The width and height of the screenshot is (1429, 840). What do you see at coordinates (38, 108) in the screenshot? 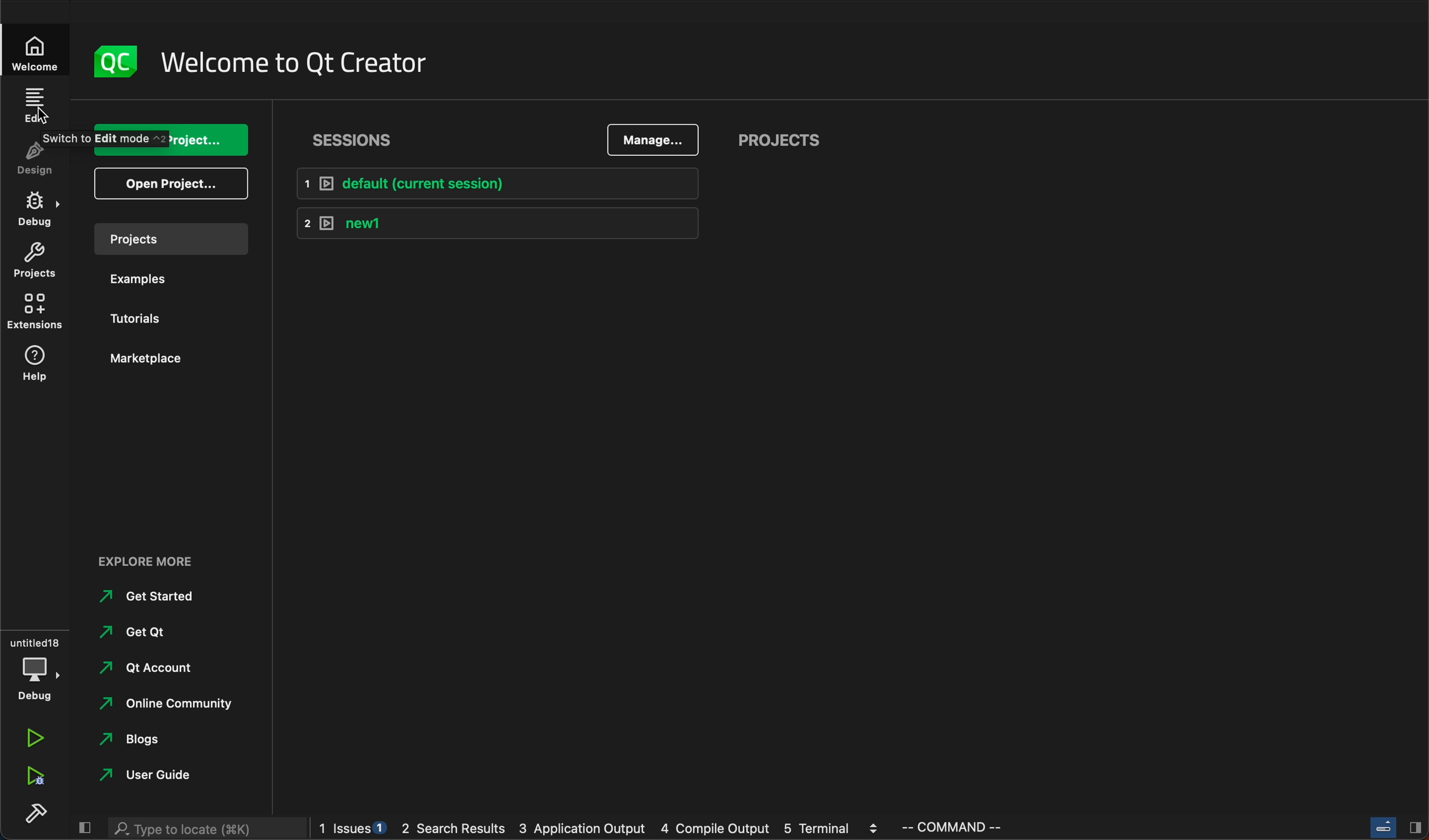
I see `edit` at bounding box center [38, 108].